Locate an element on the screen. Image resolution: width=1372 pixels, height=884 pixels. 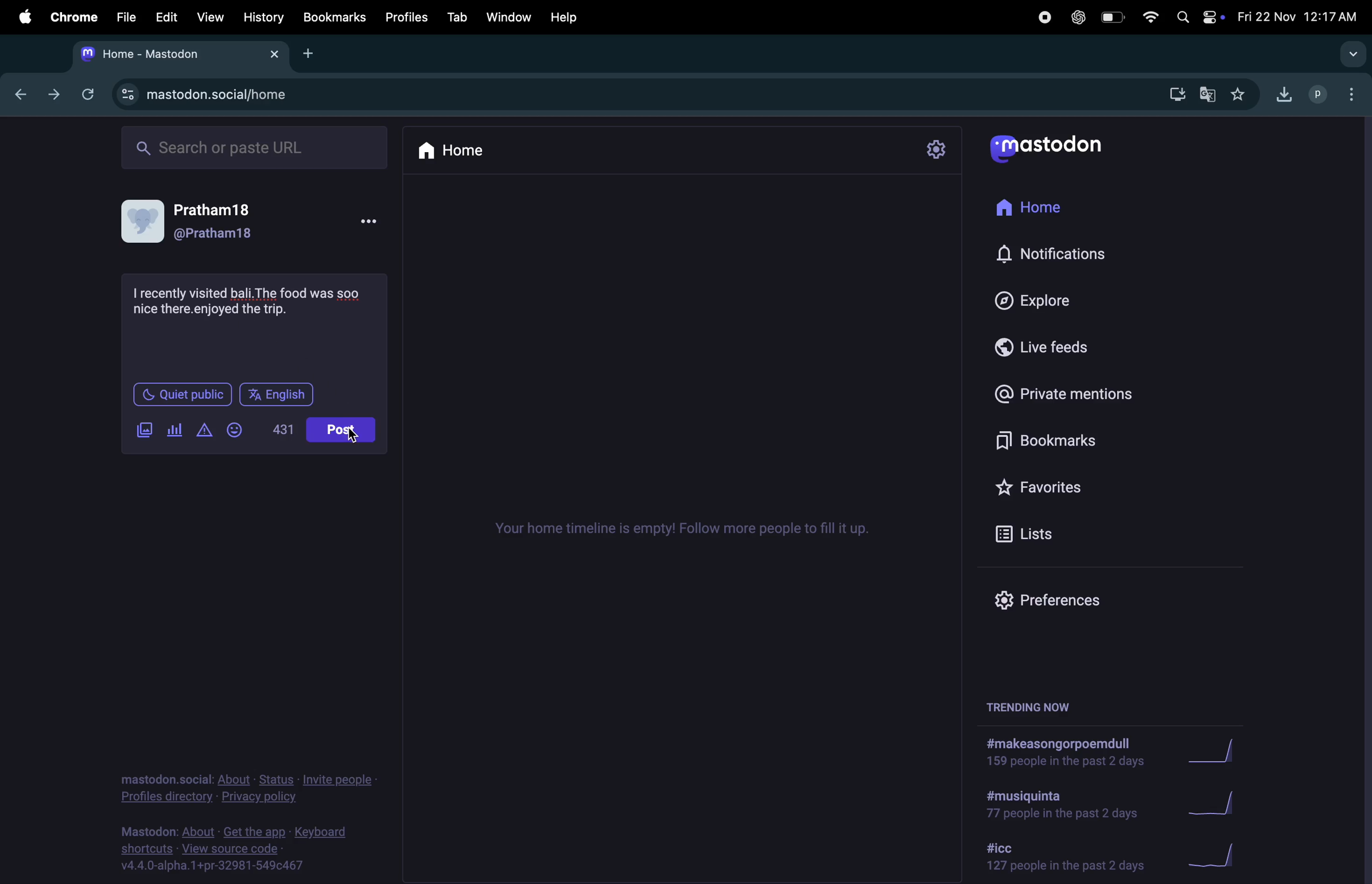
edit is located at coordinates (166, 17).